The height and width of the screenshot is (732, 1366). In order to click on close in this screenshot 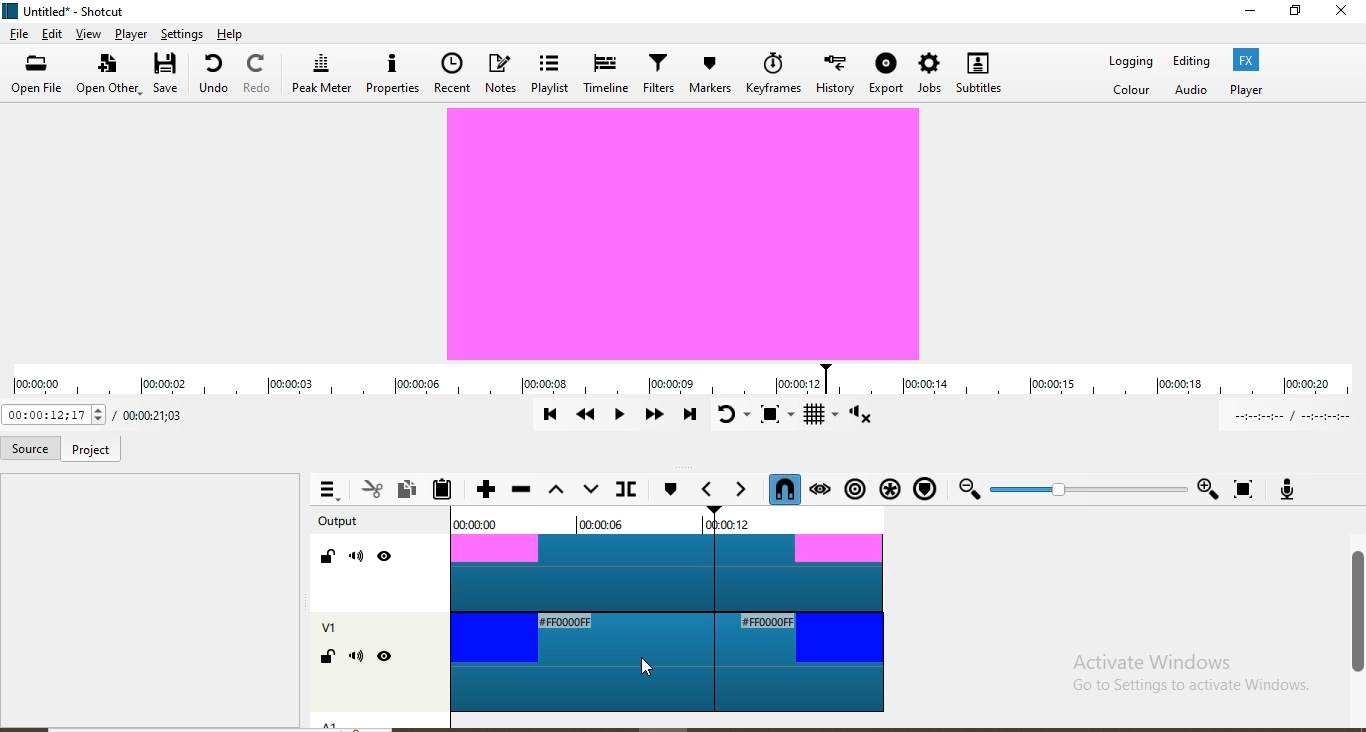, I will do `click(1342, 21)`.